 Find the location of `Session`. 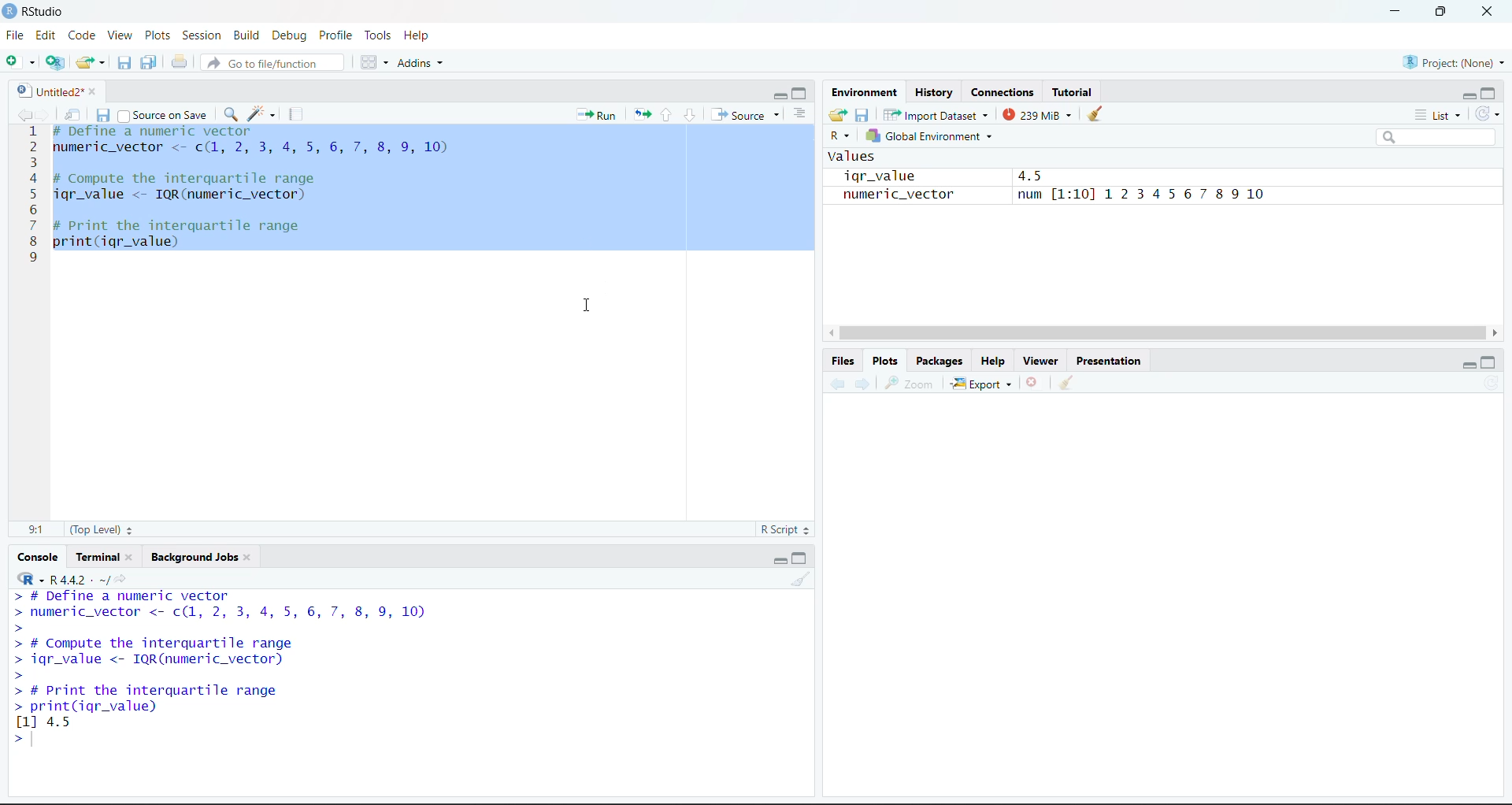

Session is located at coordinates (202, 34).